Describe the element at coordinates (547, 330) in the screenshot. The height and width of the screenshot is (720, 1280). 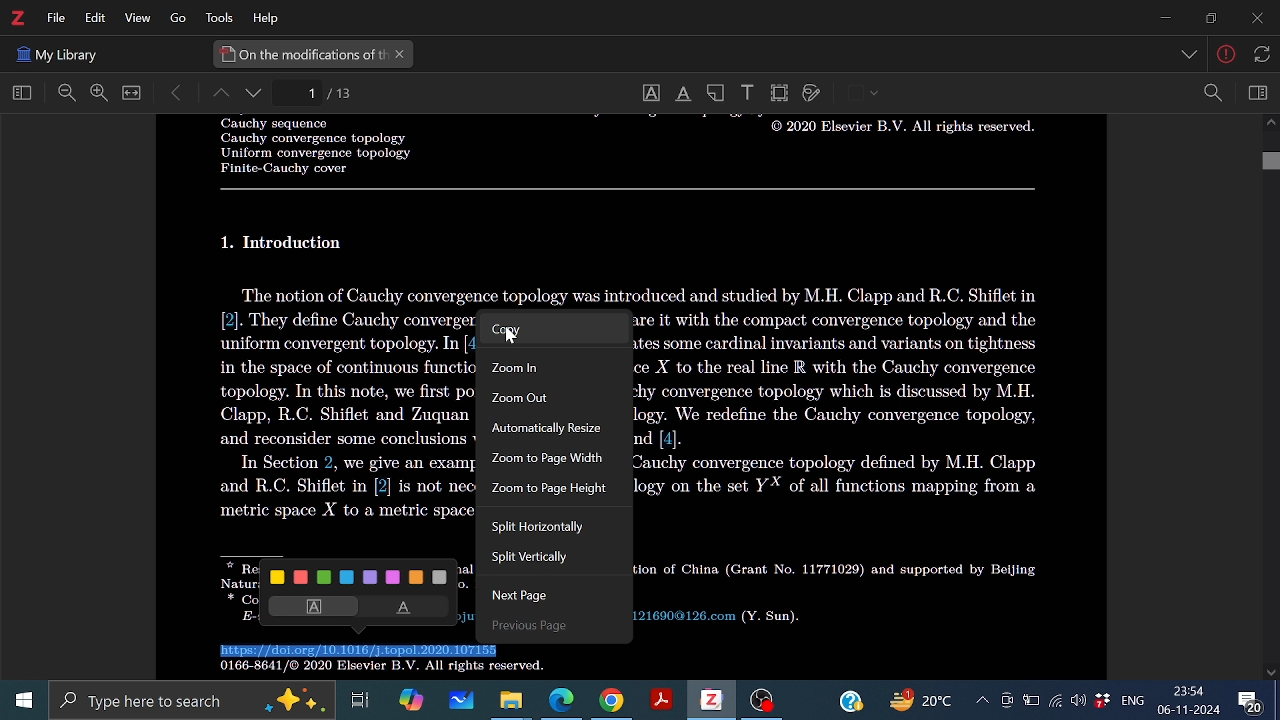
I see `Copy` at that location.